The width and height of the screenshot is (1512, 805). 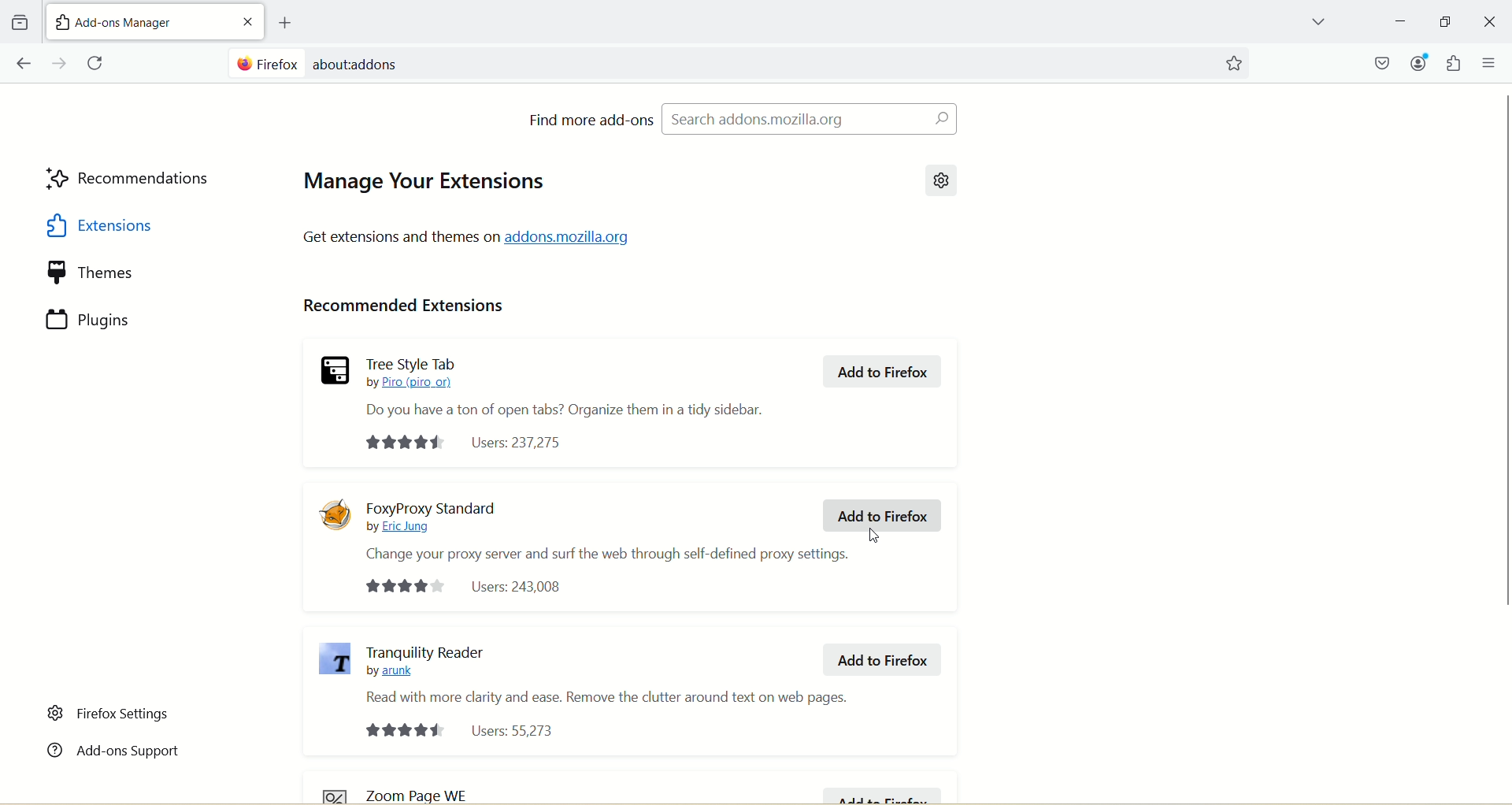 What do you see at coordinates (1233, 64) in the screenshot?
I see `Starred` at bounding box center [1233, 64].